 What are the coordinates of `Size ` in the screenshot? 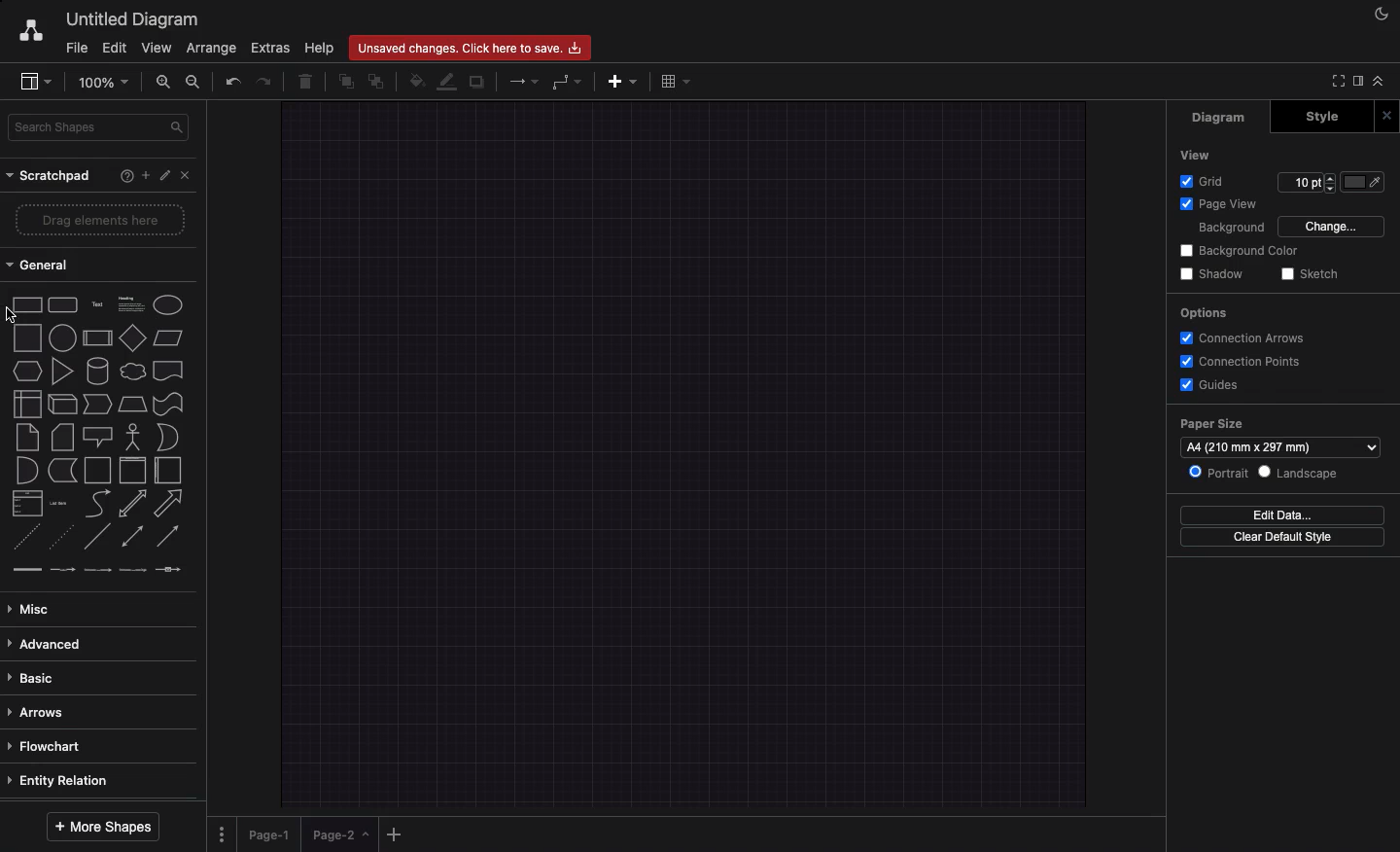 It's located at (1308, 185).